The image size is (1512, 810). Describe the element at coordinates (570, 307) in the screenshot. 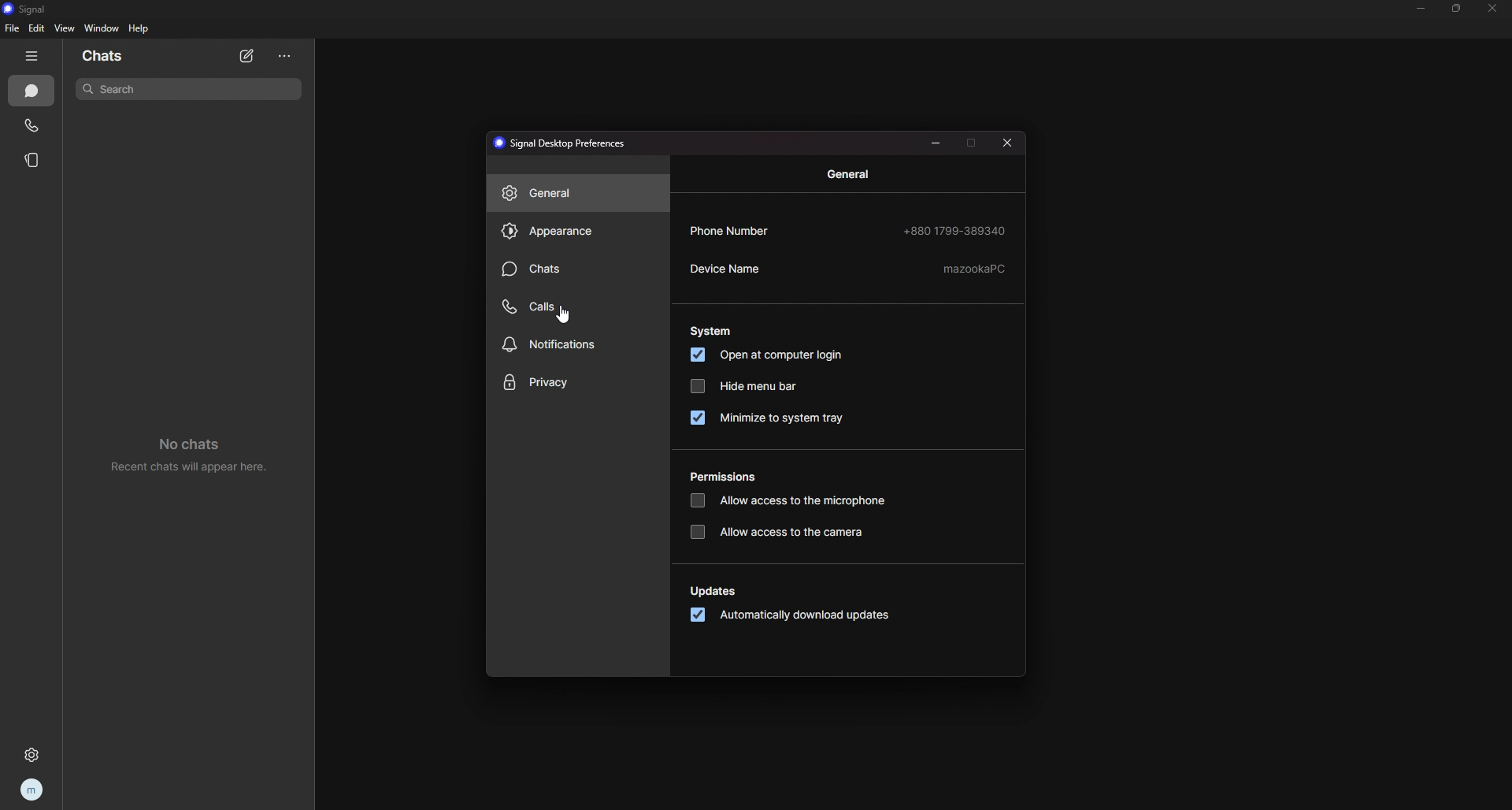

I see `calls` at that location.